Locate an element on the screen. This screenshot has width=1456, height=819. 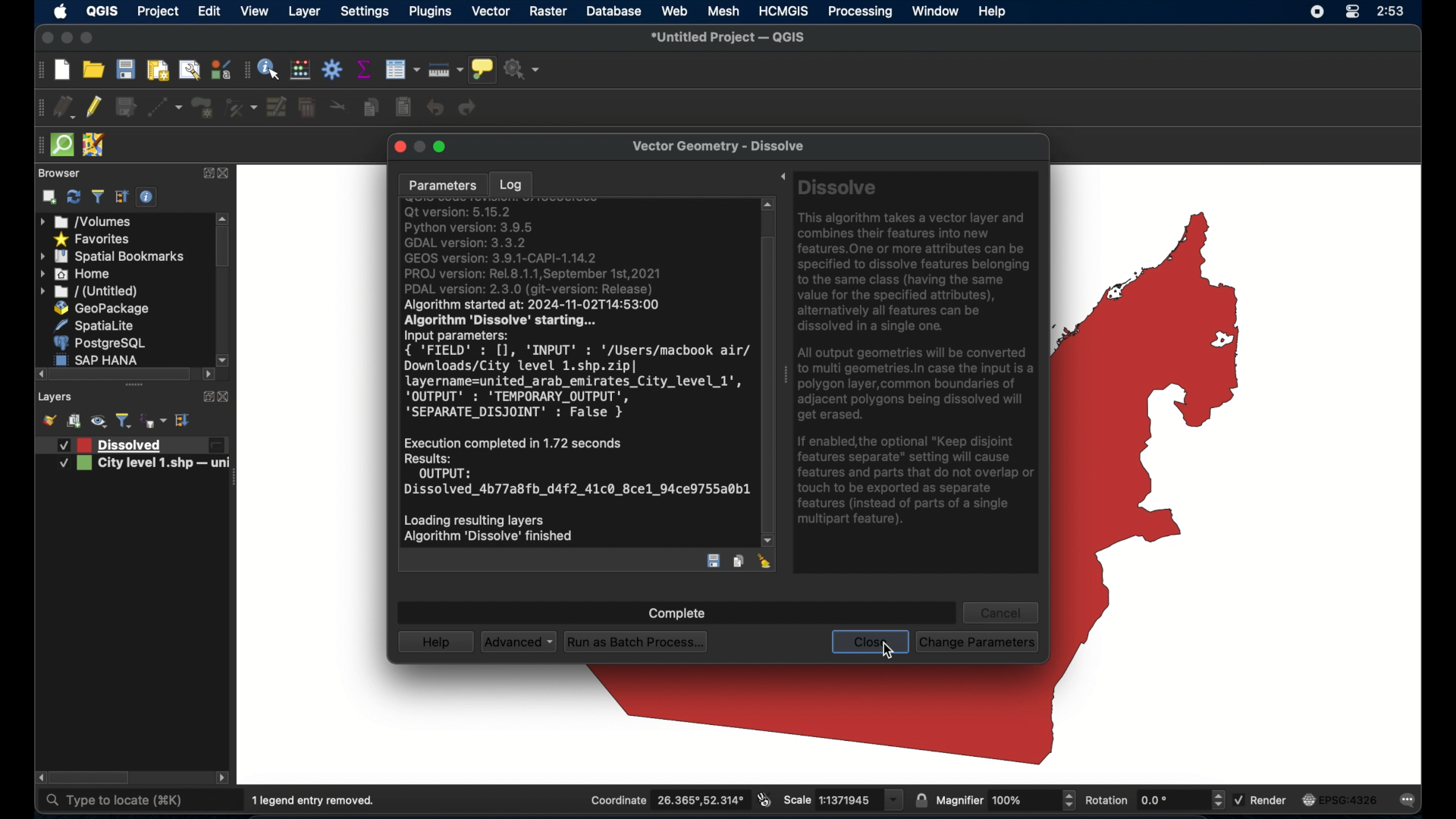
save edits is located at coordinates (127, 108).